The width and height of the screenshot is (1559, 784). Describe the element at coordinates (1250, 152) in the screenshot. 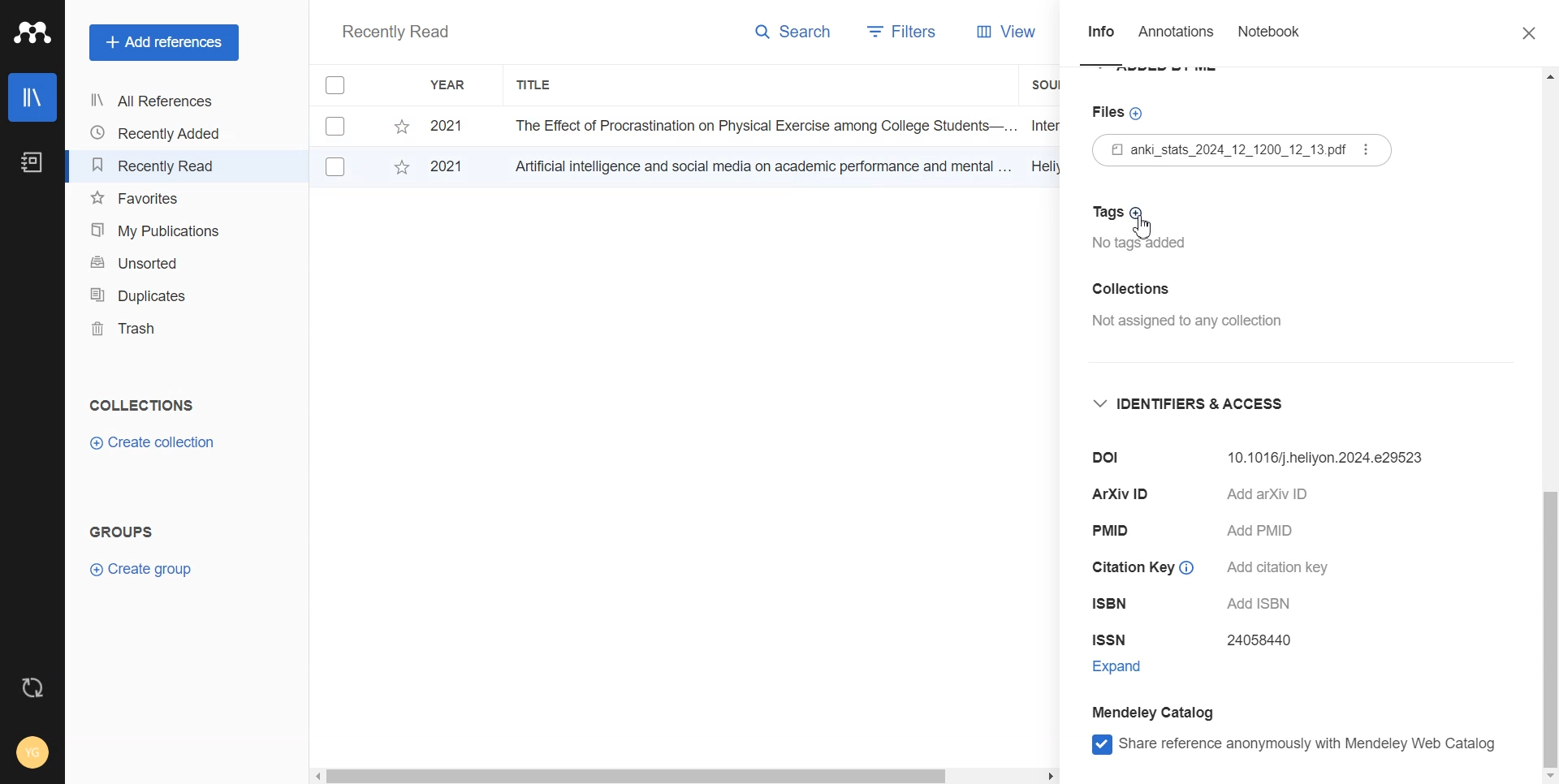

I see `Files` at that location.